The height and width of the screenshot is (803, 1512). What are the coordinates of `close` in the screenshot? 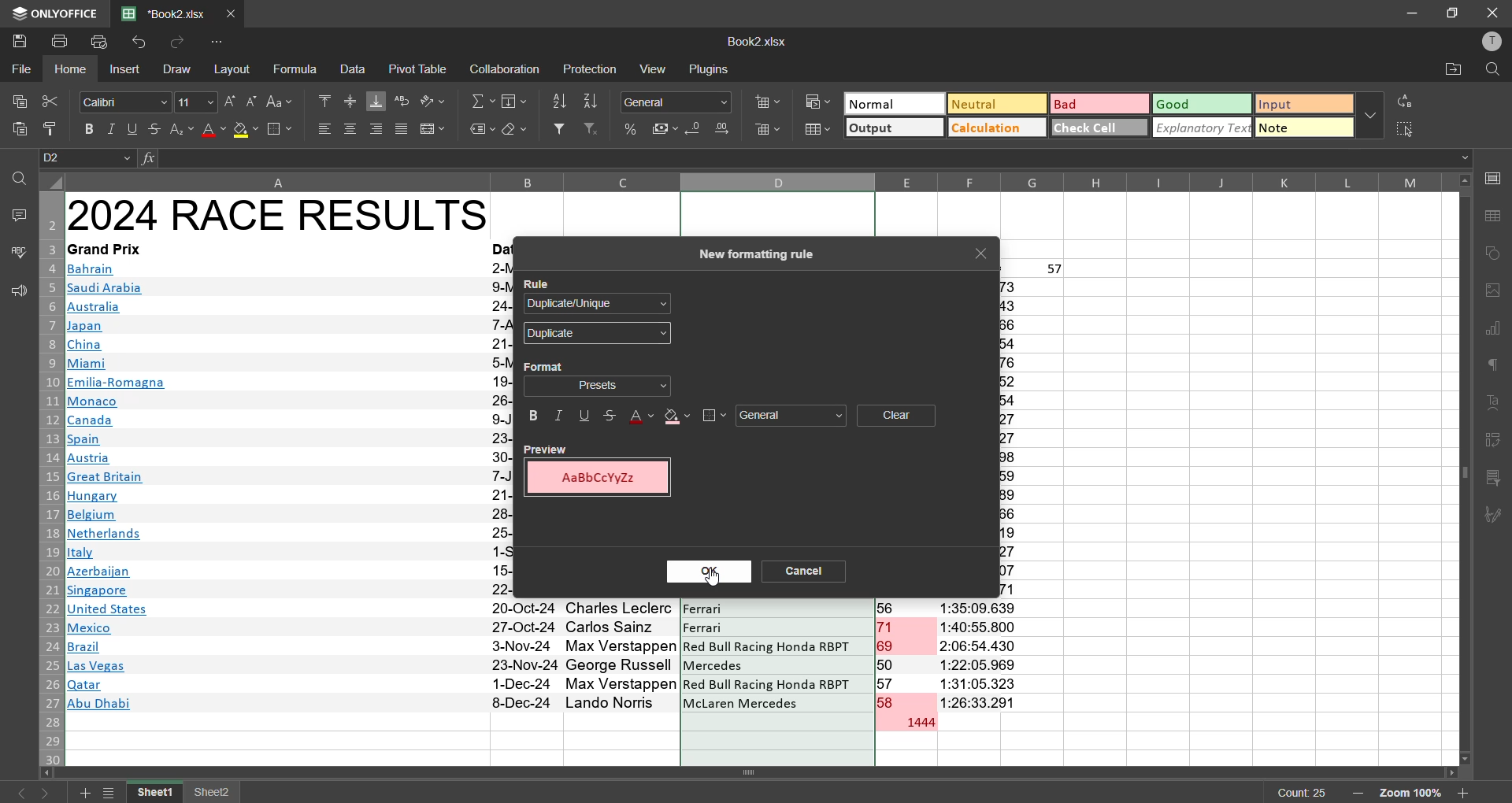 It's located at (984, 253).